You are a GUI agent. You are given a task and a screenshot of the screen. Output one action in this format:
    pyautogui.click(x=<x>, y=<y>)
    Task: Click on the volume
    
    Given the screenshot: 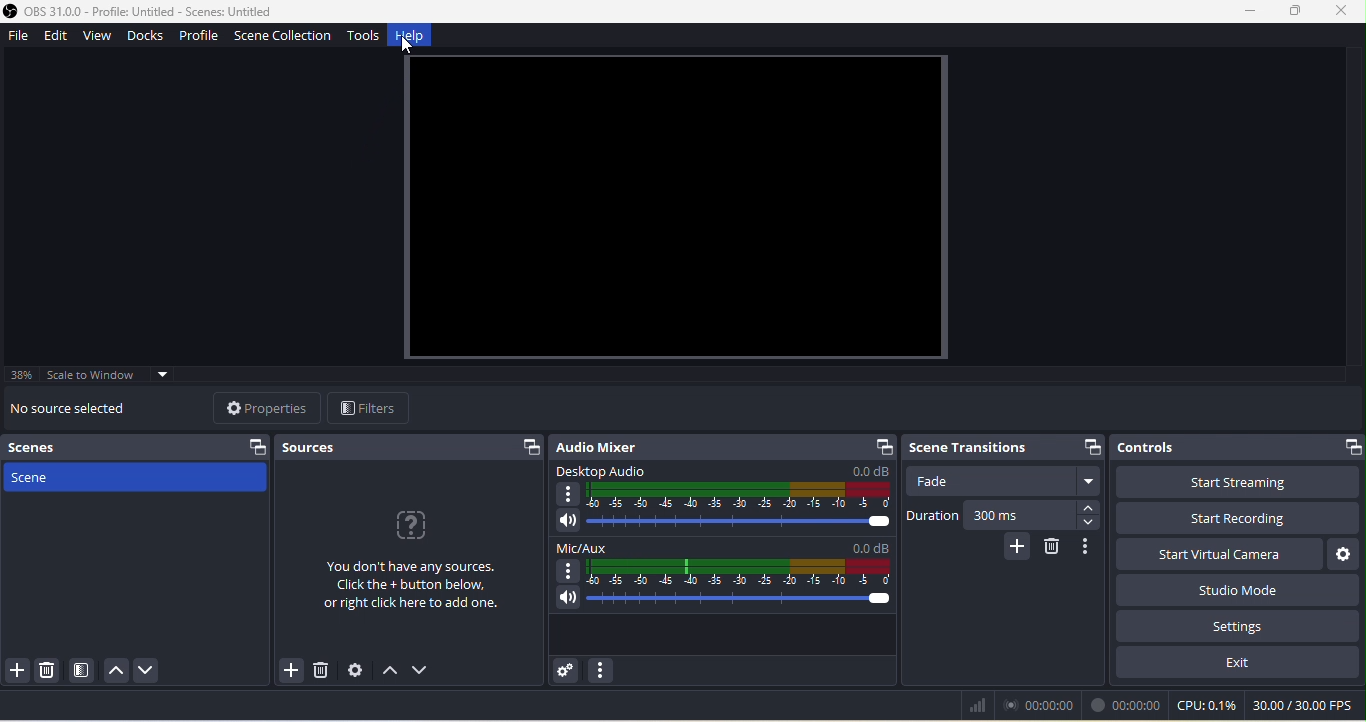 What is the action you would take?
    pyautogui.click(x=724, y=602)
    